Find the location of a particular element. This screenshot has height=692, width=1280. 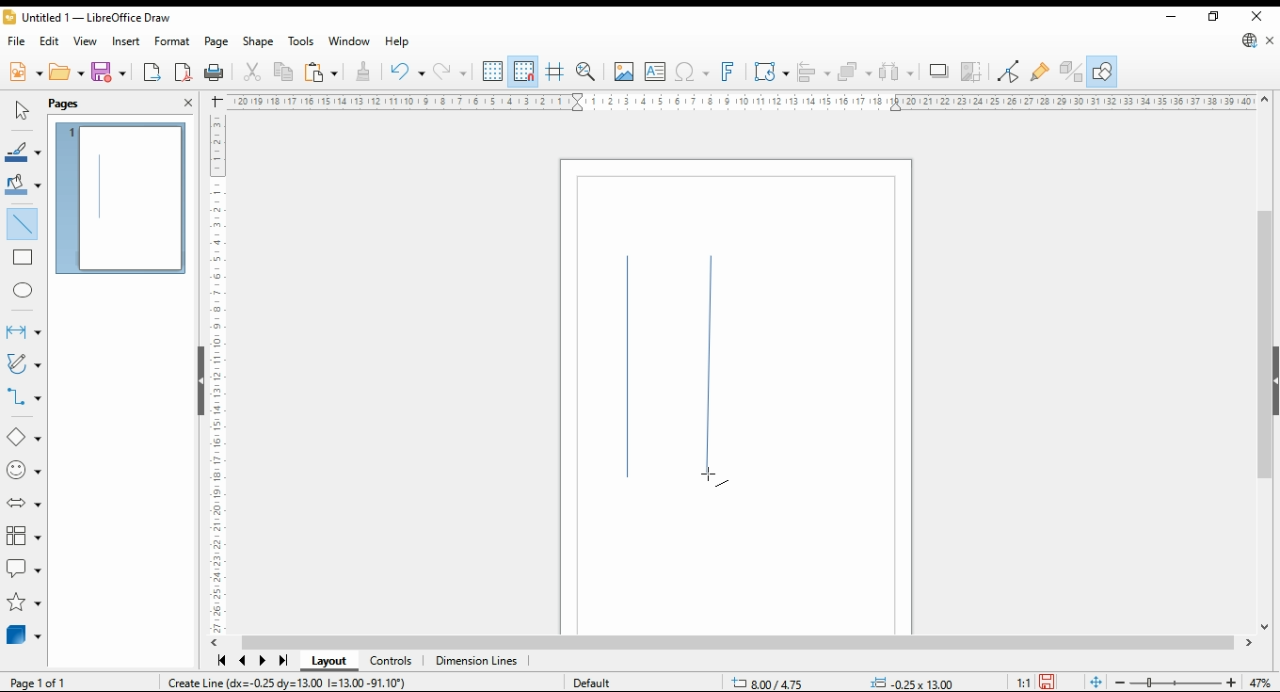

toggle point edit mode is located at coordinates (1010, 69).